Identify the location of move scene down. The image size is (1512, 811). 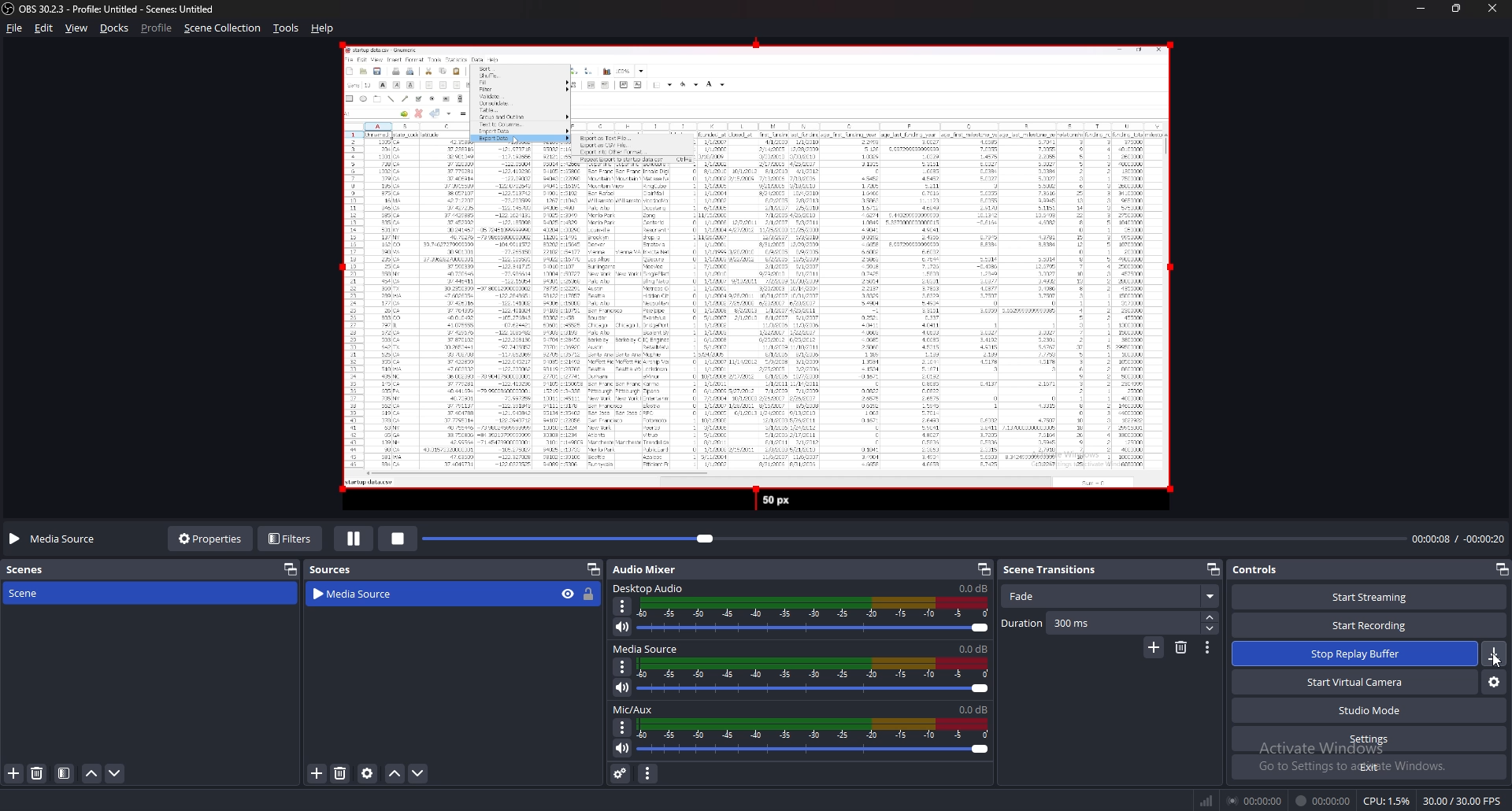
(114, 774).